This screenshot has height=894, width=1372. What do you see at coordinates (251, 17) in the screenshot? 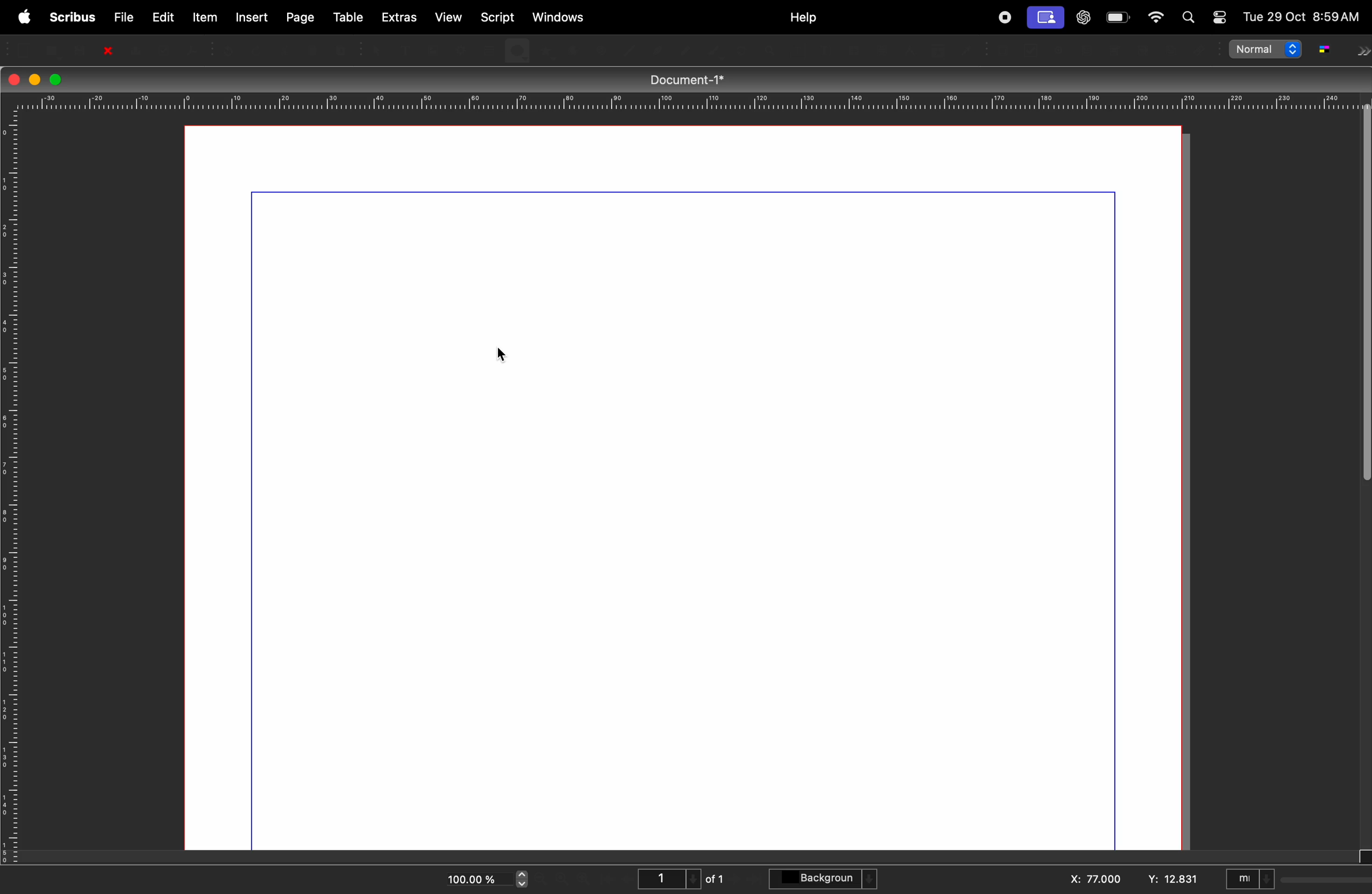
I see `insert` at bounding box center [251, 17].